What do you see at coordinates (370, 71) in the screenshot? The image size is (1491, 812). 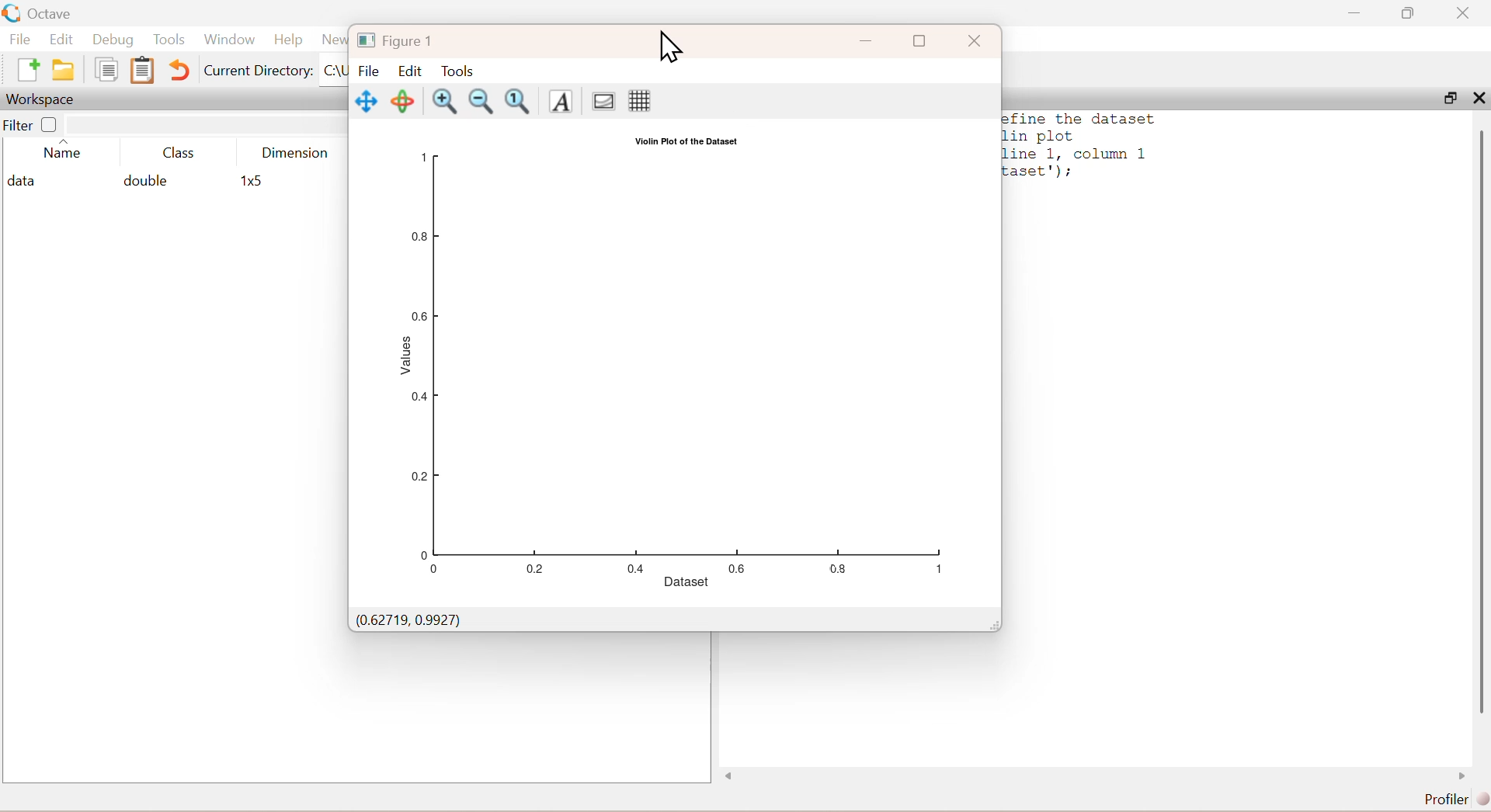 I see `file` at bounding box center [370, 71].